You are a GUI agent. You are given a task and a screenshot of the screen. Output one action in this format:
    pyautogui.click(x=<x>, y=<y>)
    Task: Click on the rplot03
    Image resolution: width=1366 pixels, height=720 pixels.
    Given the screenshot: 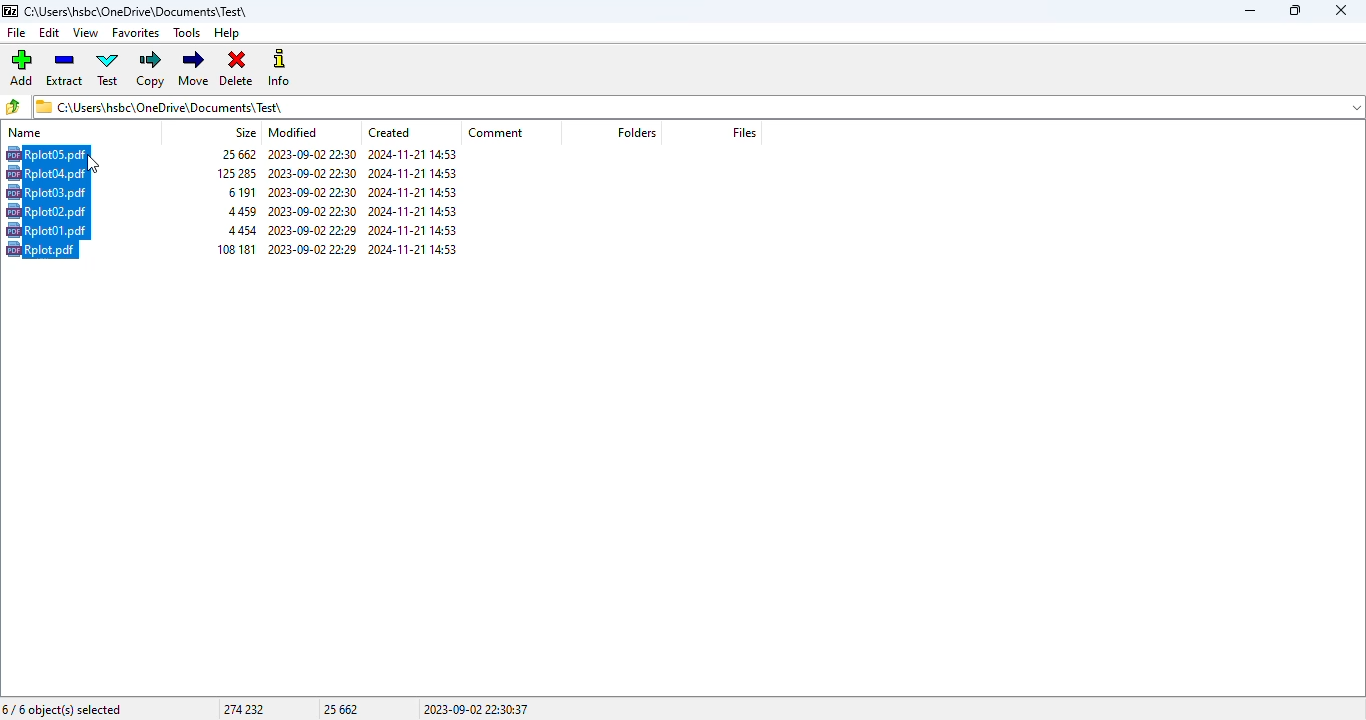 What is the action you would take?
    pyautogui.click(x=46, y=192)
    